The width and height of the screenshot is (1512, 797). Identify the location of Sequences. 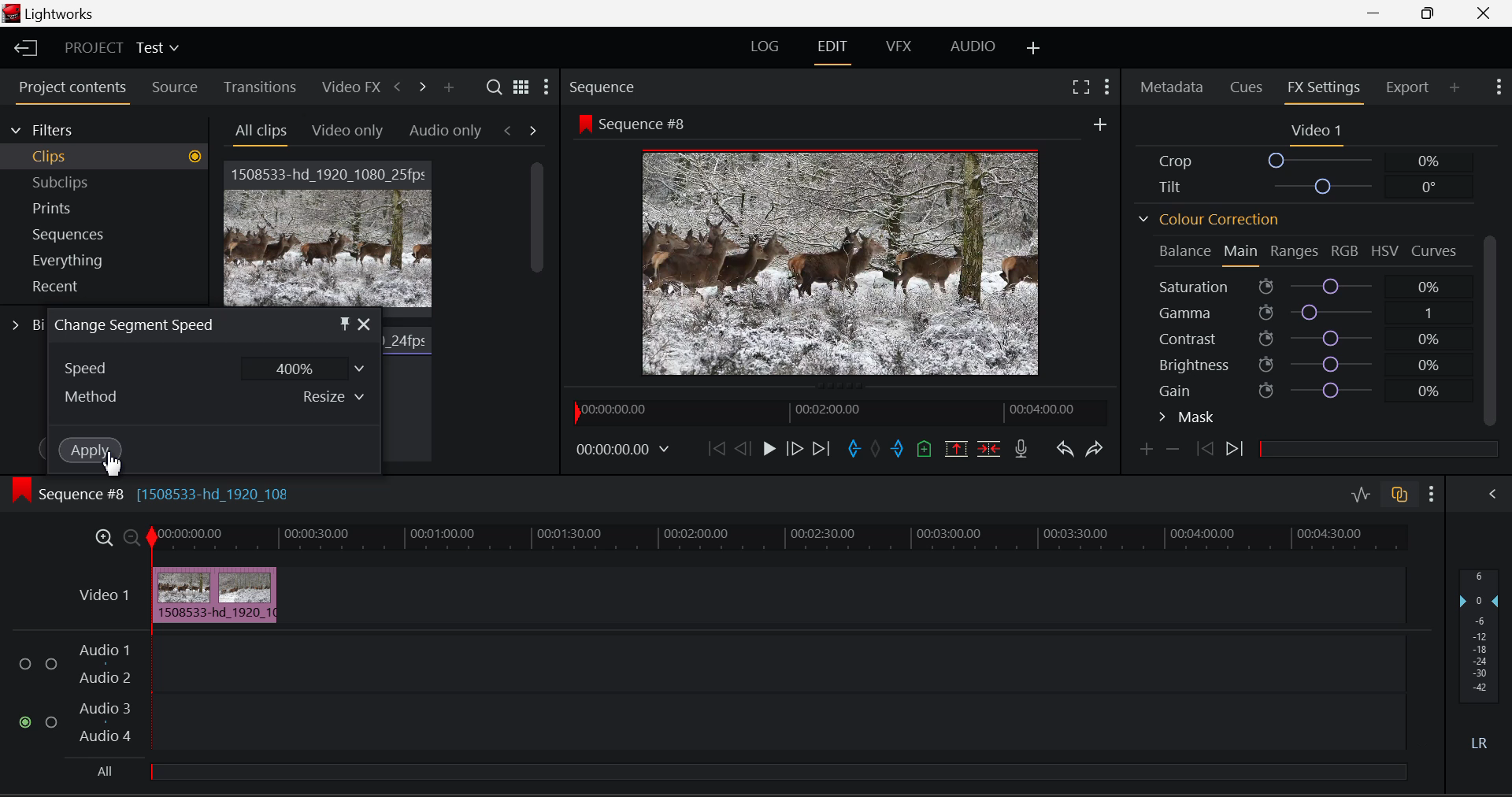
(112, 235).